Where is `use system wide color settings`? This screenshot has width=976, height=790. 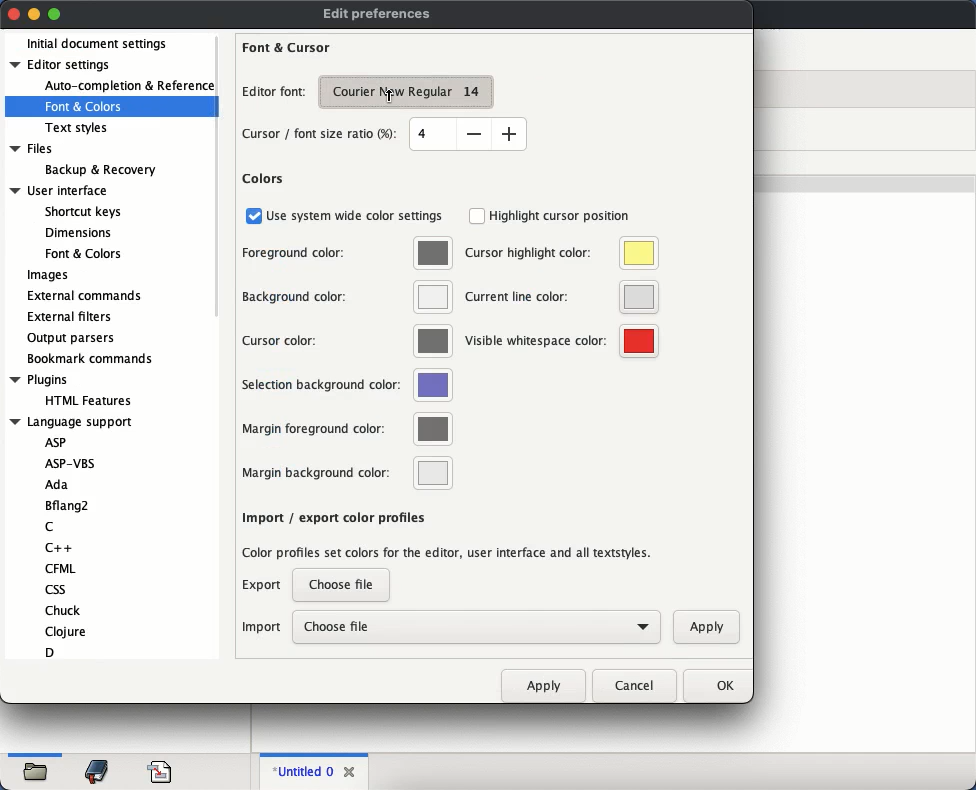 use system wide color settings is located at coordinates (346, 215).